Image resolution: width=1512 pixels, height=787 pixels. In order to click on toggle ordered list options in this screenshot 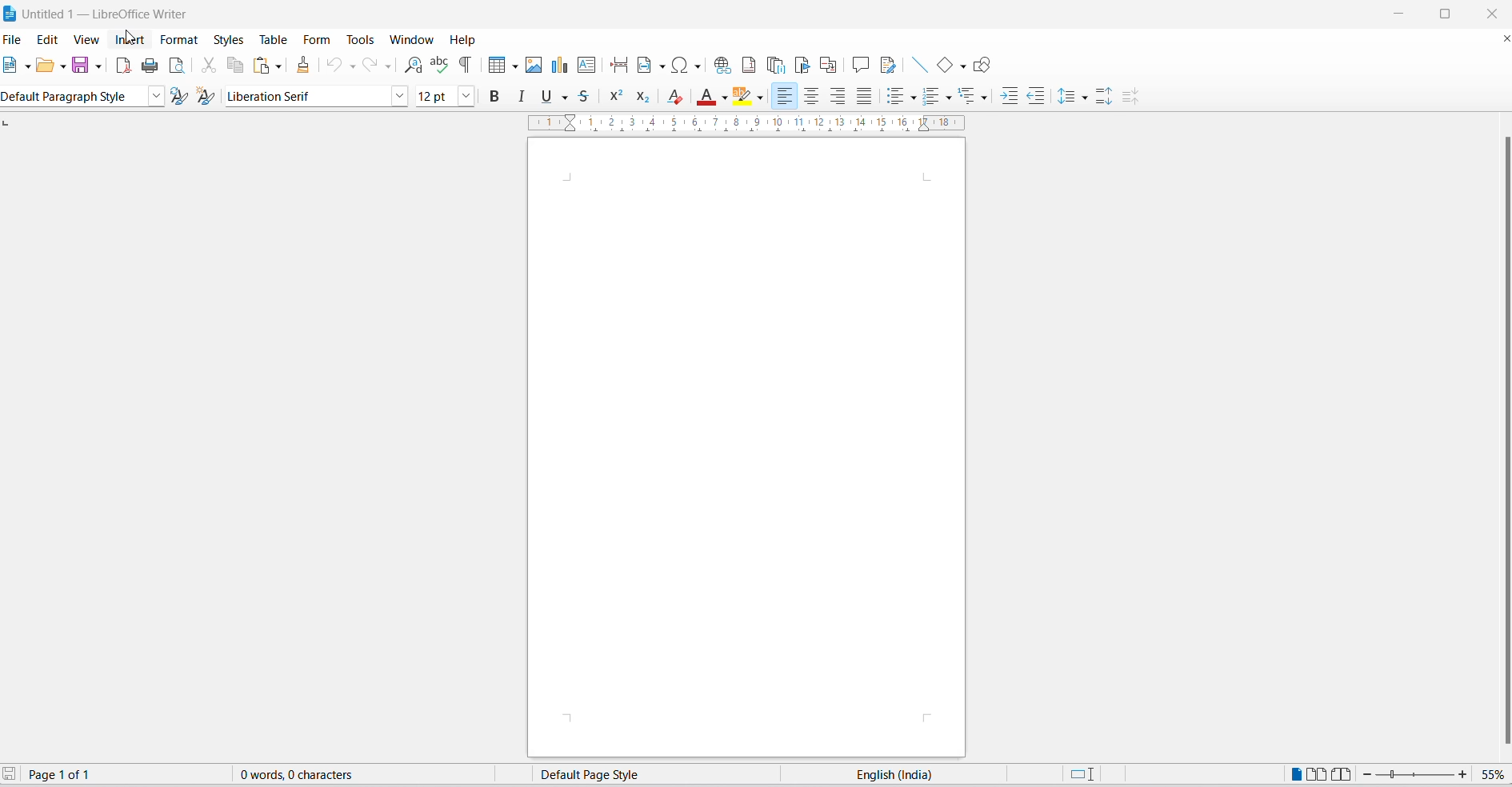, I will do `click(948, 98)`.